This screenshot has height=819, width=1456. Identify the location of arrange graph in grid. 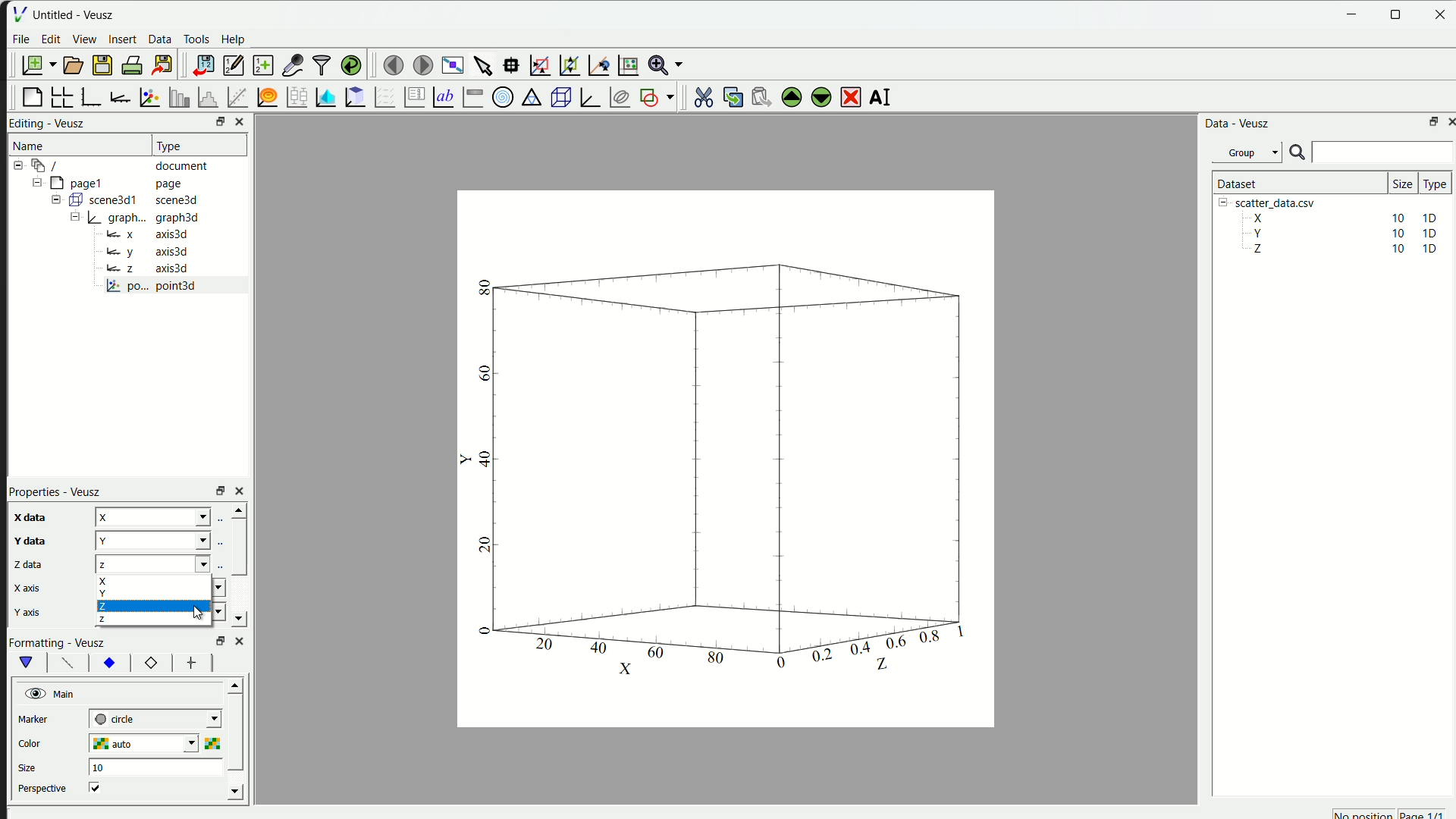
(61, 96).